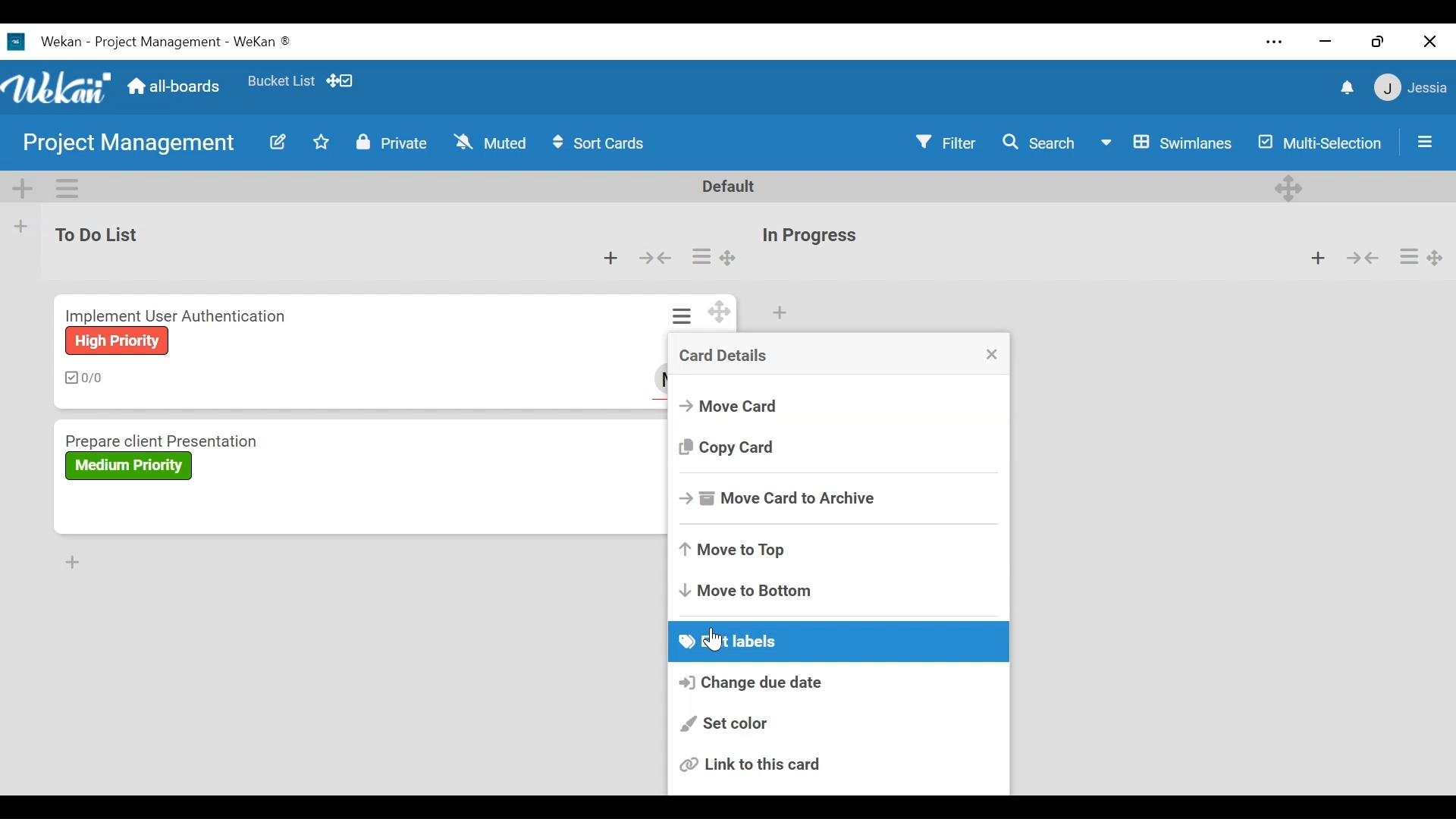 Image resolution: width=1456 pixels, height=819 pixels. Describe the element at coordinates (58, 86) in the screenshot. I see `Wekan logo` at that location.